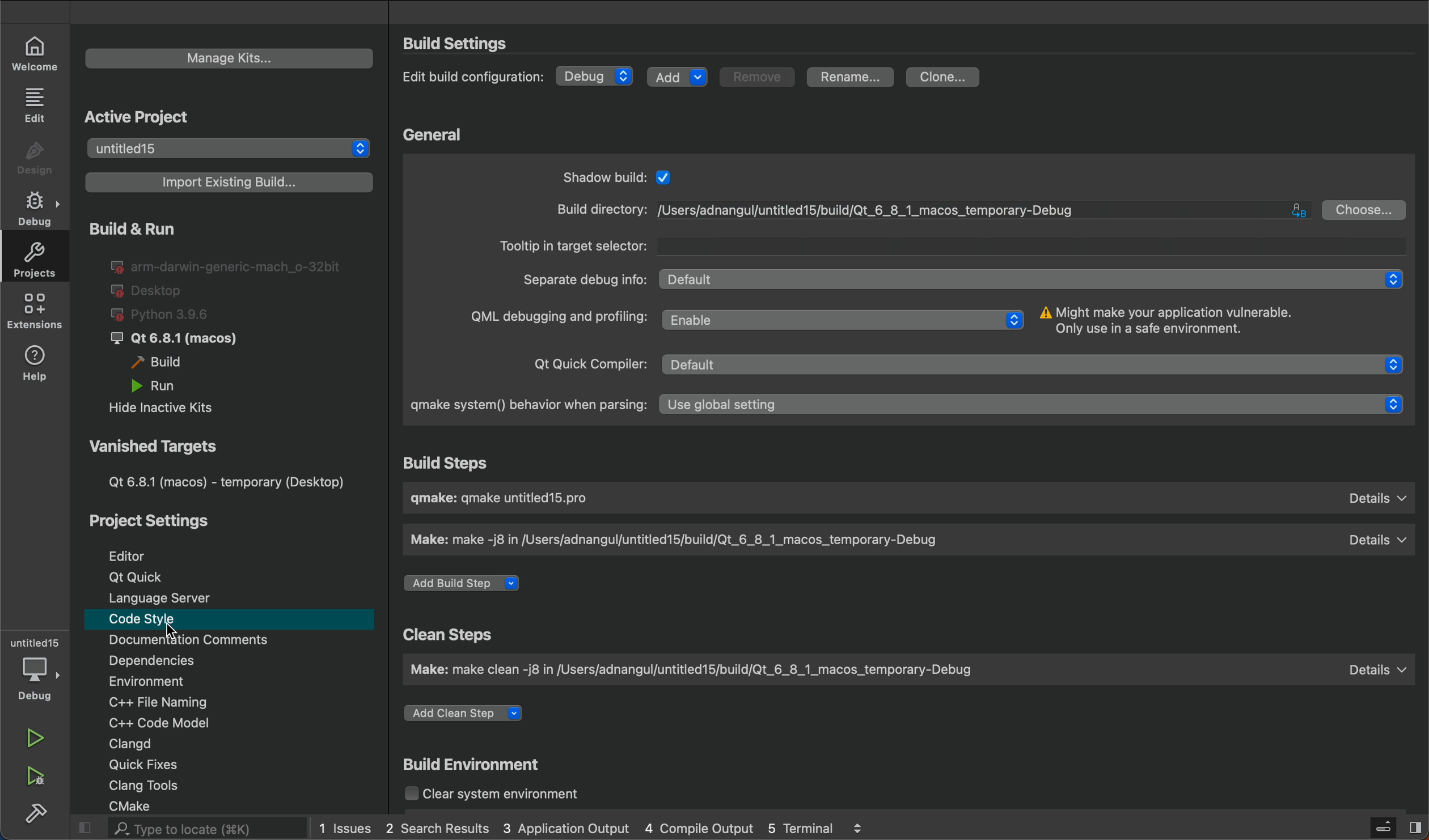 This screenshot has width=1429, height=840. I want to click on project setting, so click(156, 522).